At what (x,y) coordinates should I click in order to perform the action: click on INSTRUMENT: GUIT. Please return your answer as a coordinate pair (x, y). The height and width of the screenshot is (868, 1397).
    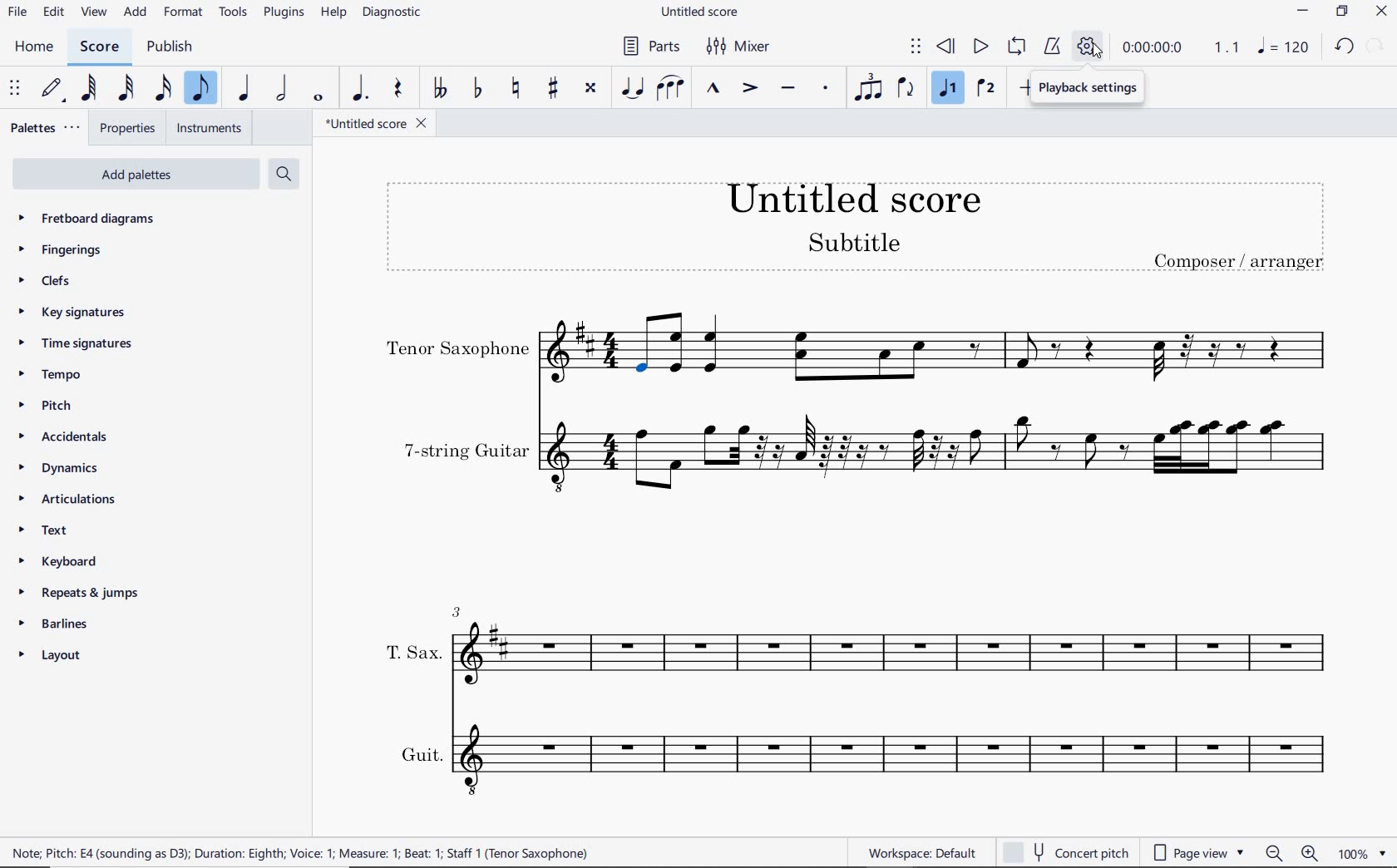
    Looking at the image, I should click on (855, 757).